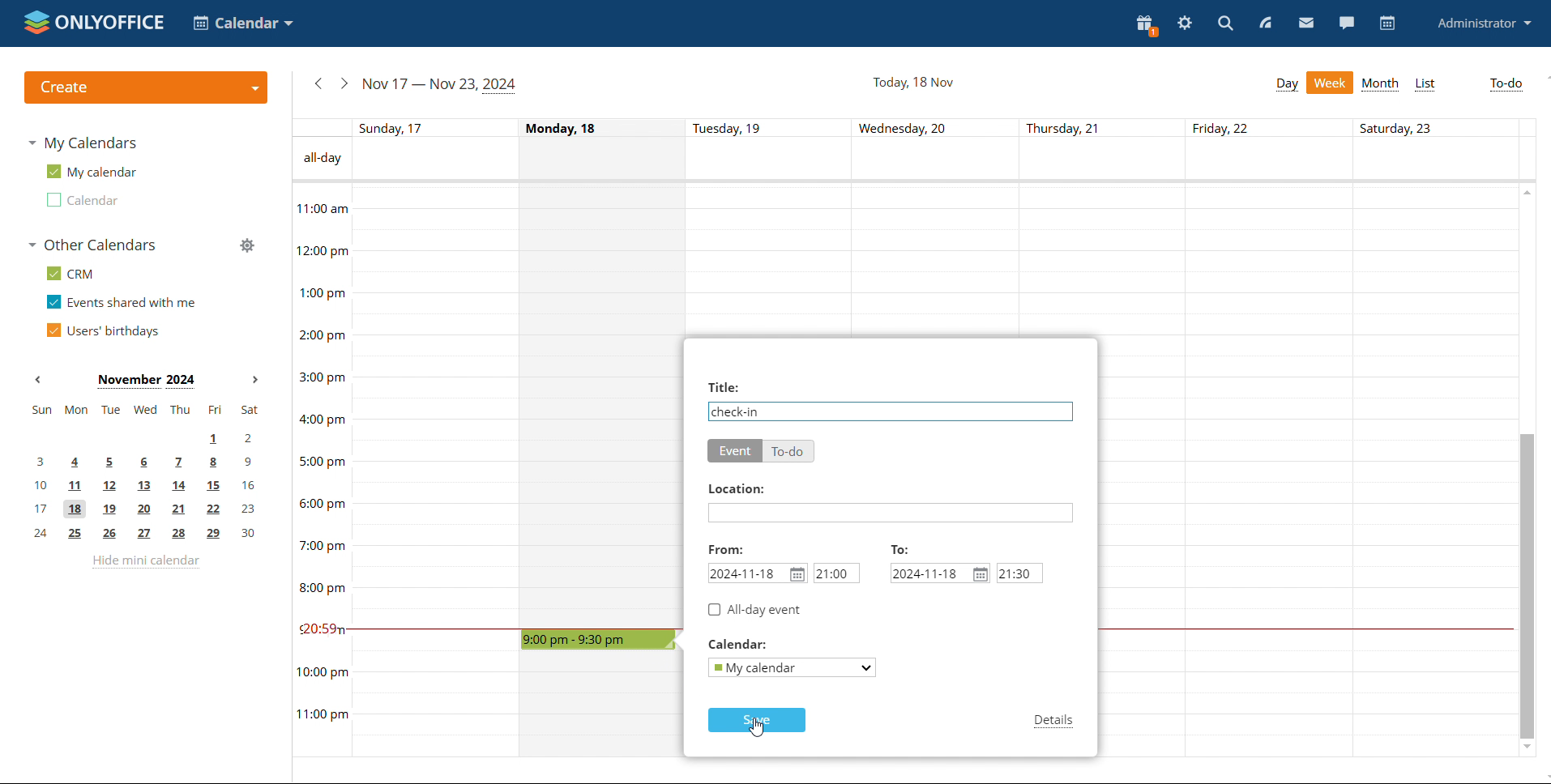 This screenshot has height=784, width=1551. Describe the element at coordinates (1288, 83) in the screenshot. I see `day view` at that location.